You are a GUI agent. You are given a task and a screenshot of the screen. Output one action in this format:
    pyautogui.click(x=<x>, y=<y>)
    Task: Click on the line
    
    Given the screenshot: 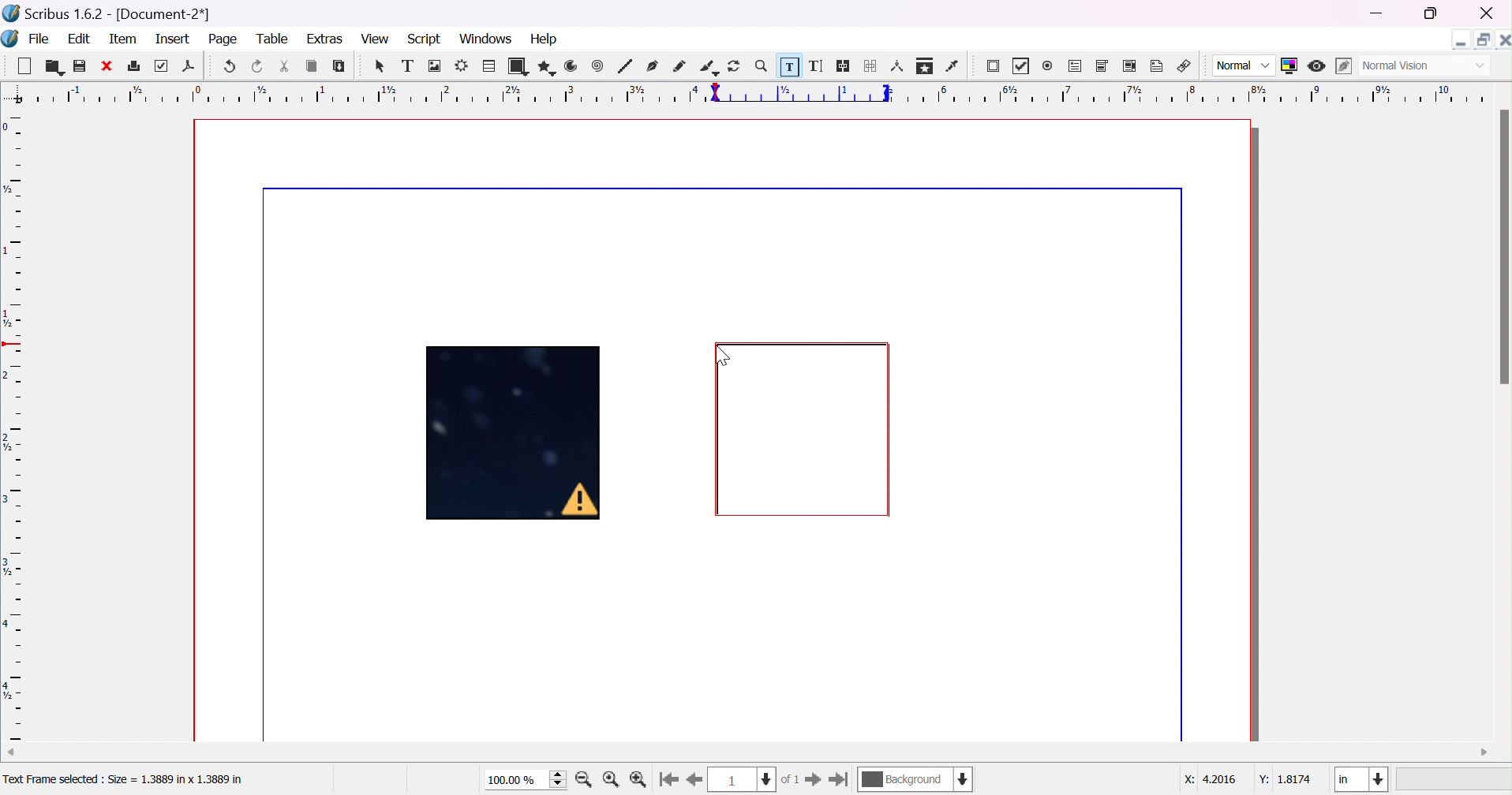 What is the action you would take?
    pyautogui.click(x=625, y=66)
    